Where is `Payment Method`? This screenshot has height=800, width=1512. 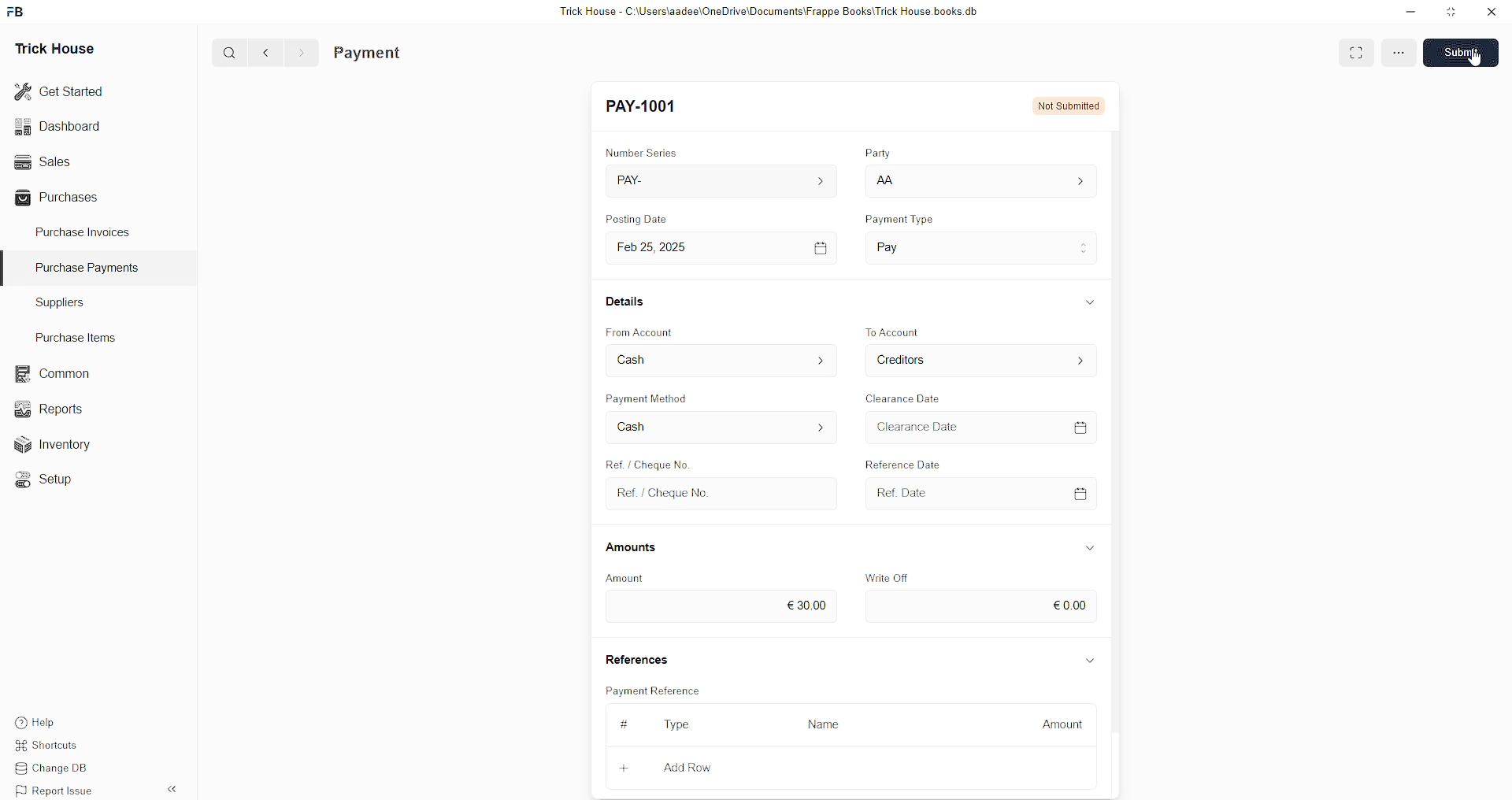
Payment Method is located at coordinates (683, 401).